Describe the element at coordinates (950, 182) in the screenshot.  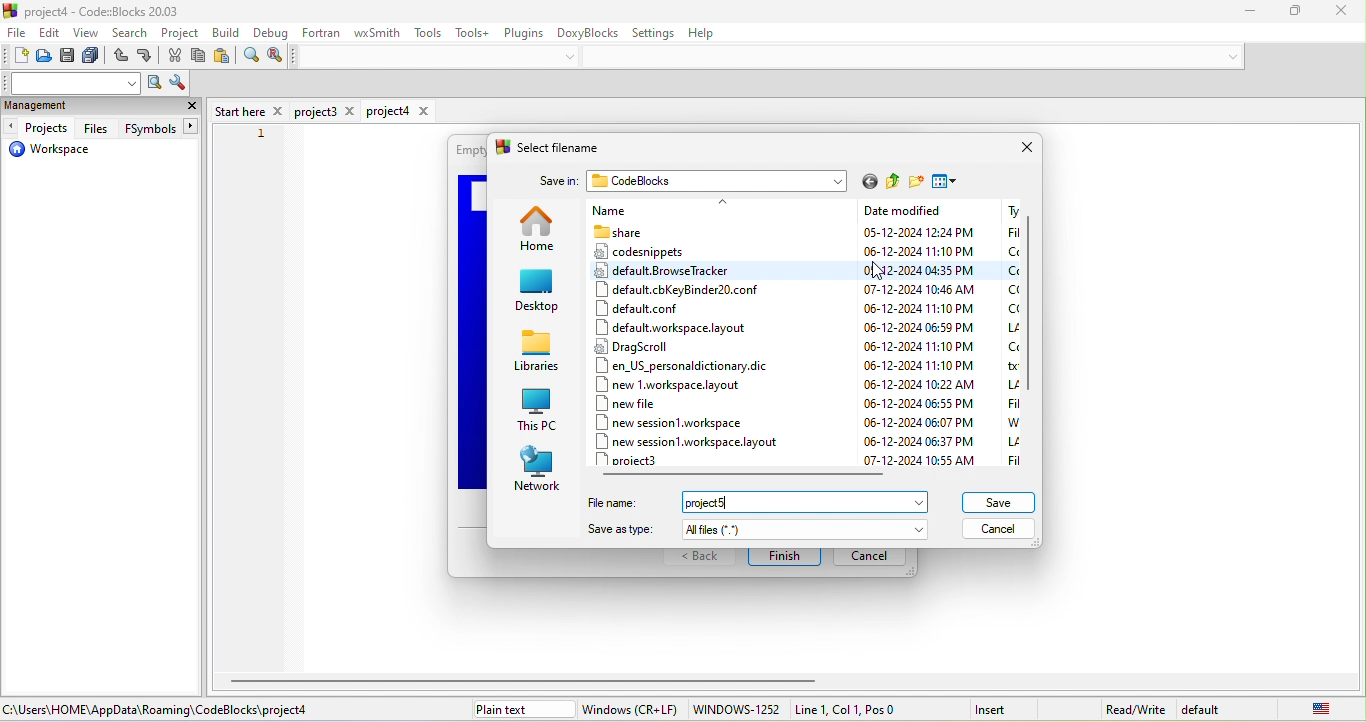
I see `view menu` at that location.